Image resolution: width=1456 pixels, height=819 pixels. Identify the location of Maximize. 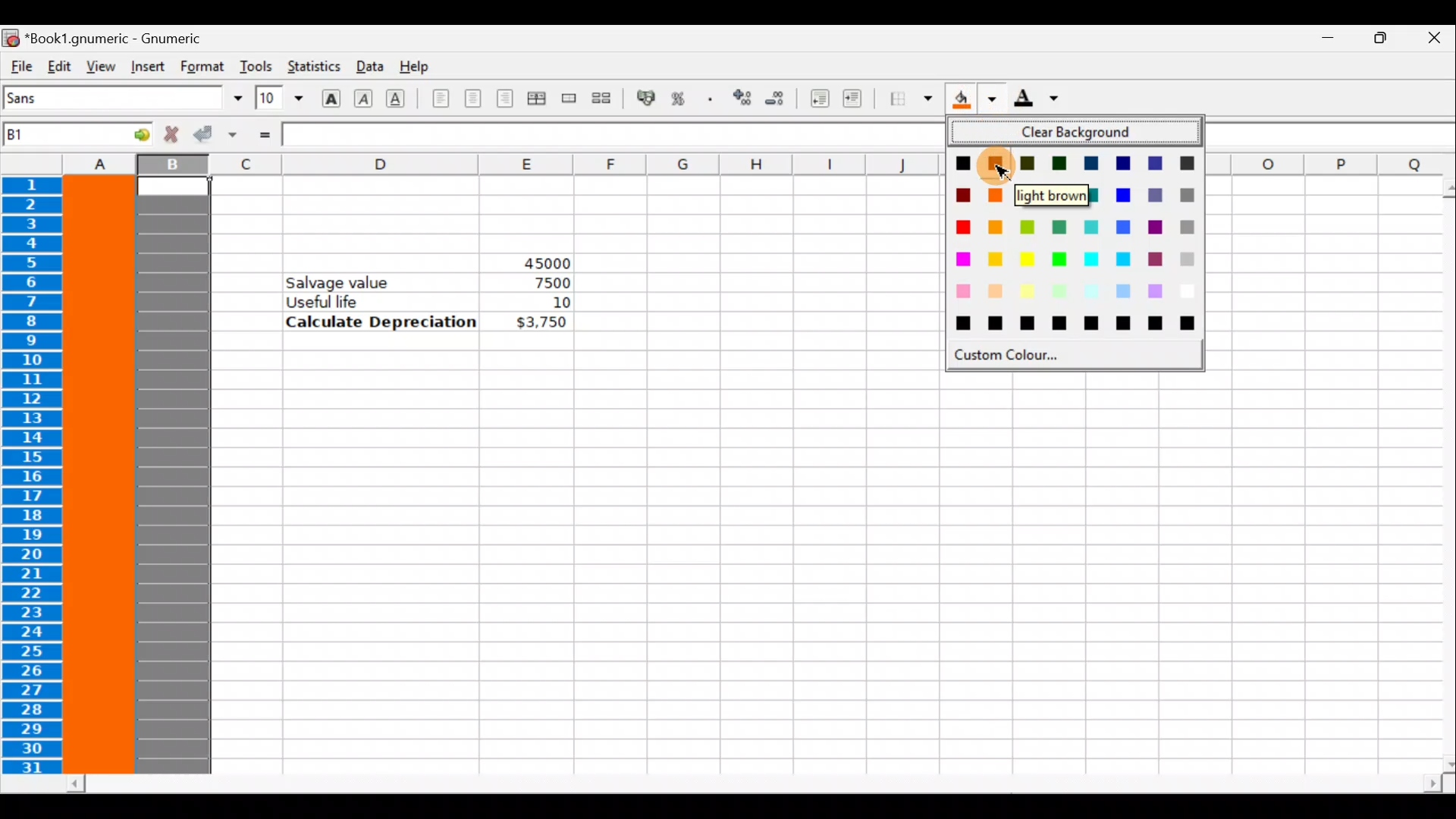
(1377, 42).